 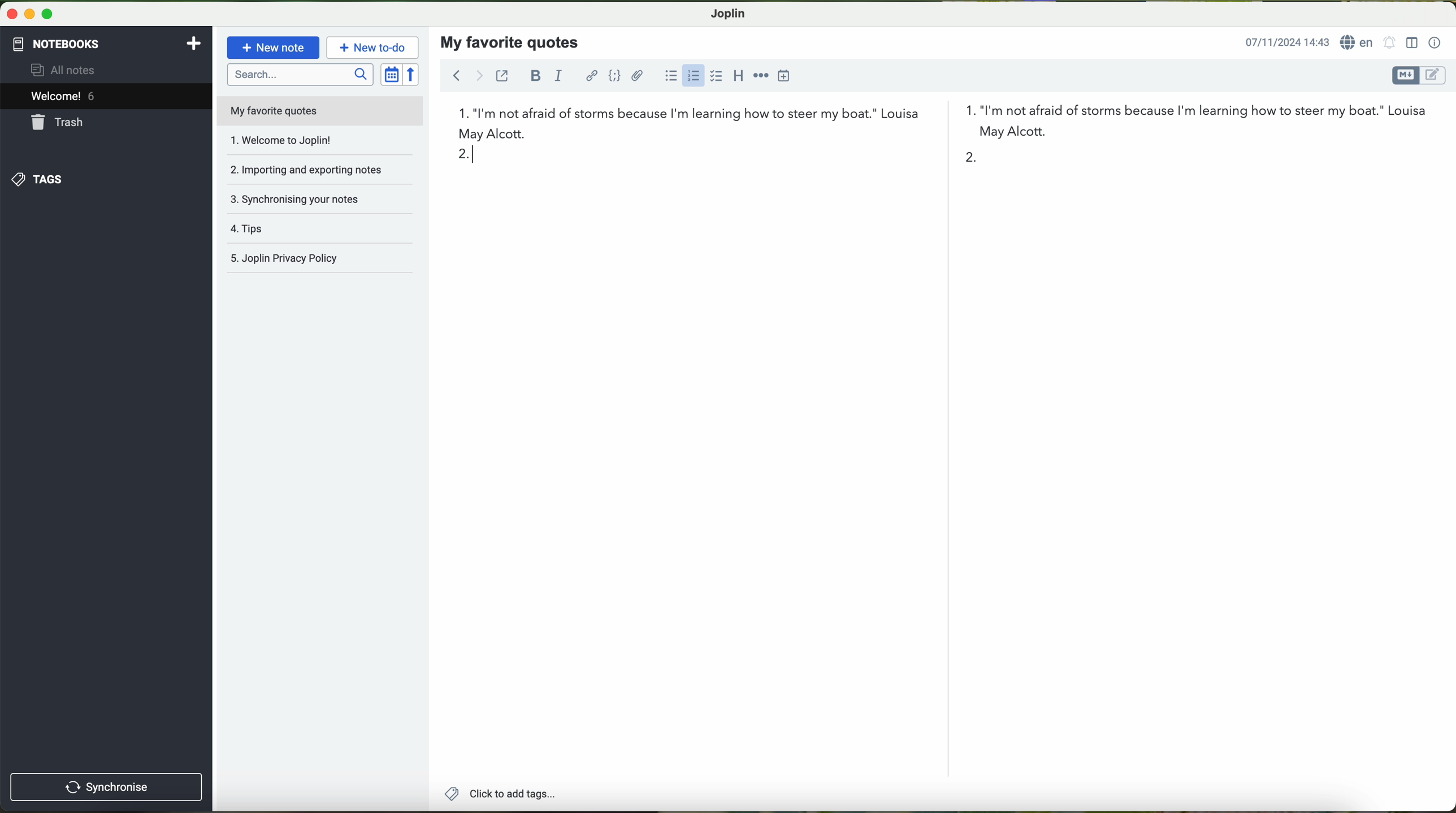 What do you see at coordinates (1419, 75) in the screenshot?
I see `toggle editor` at bounding box center [1419, 75].